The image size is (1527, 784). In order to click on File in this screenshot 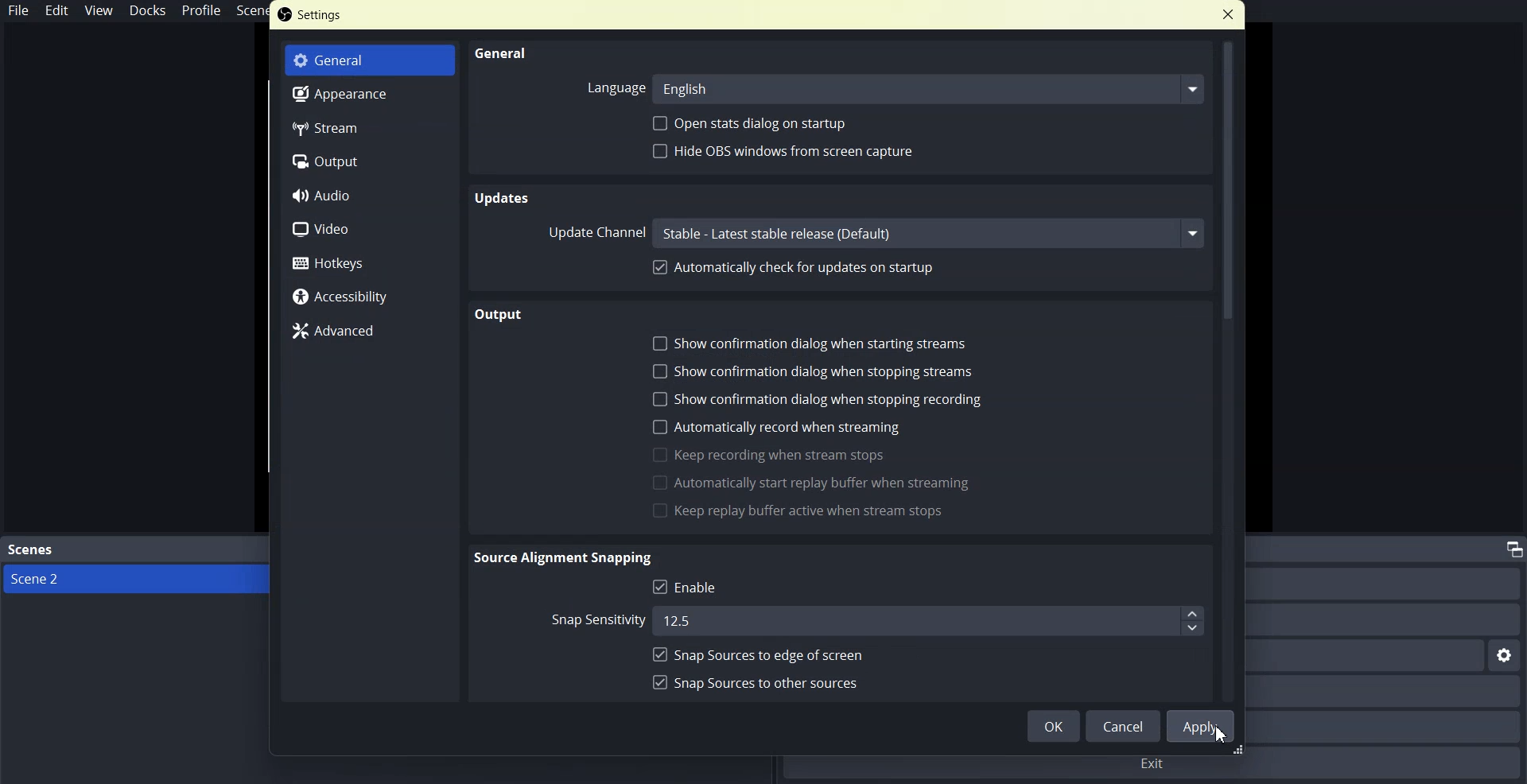, I will do `click(19, 10)`.